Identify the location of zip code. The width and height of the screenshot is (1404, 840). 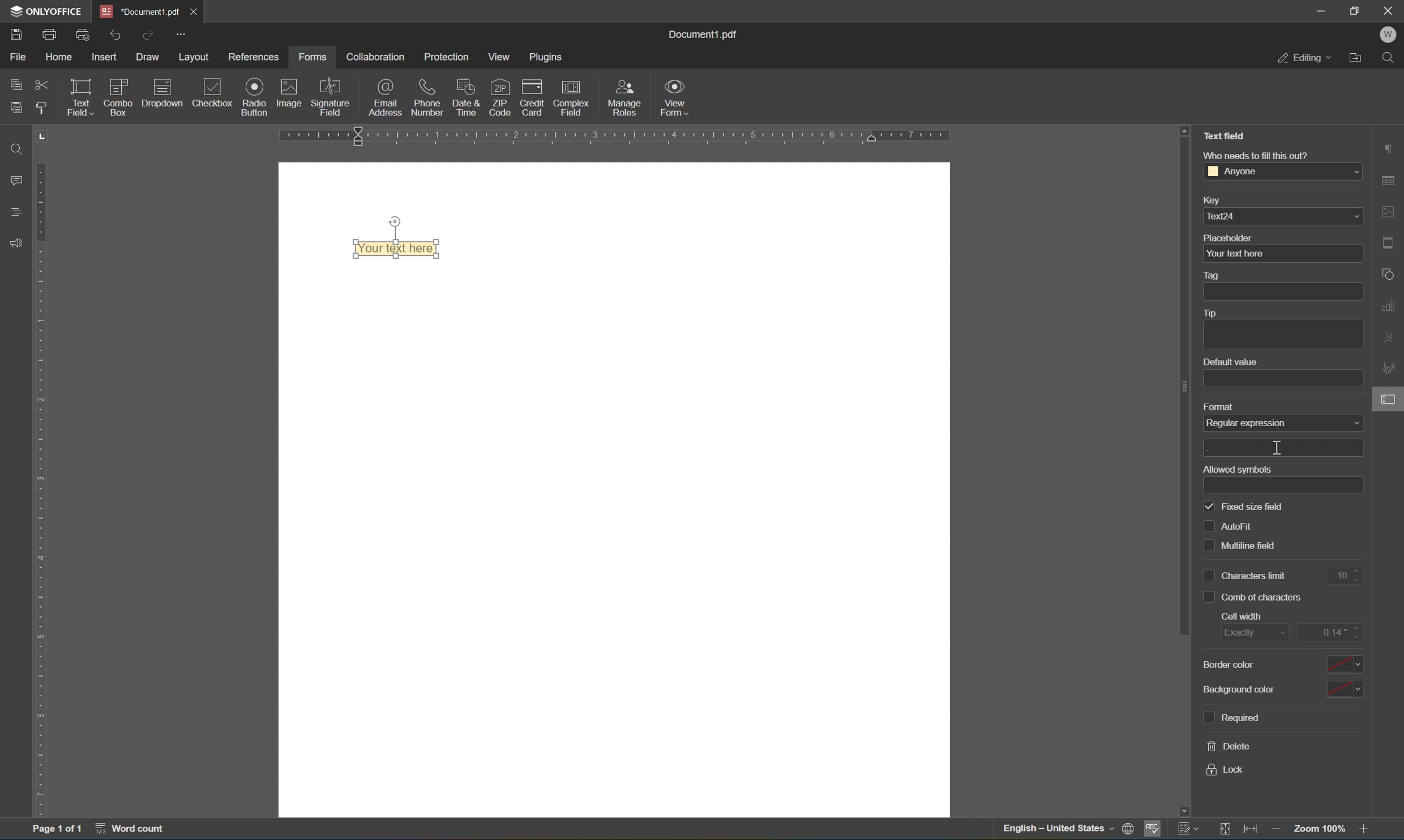
(500, 97).